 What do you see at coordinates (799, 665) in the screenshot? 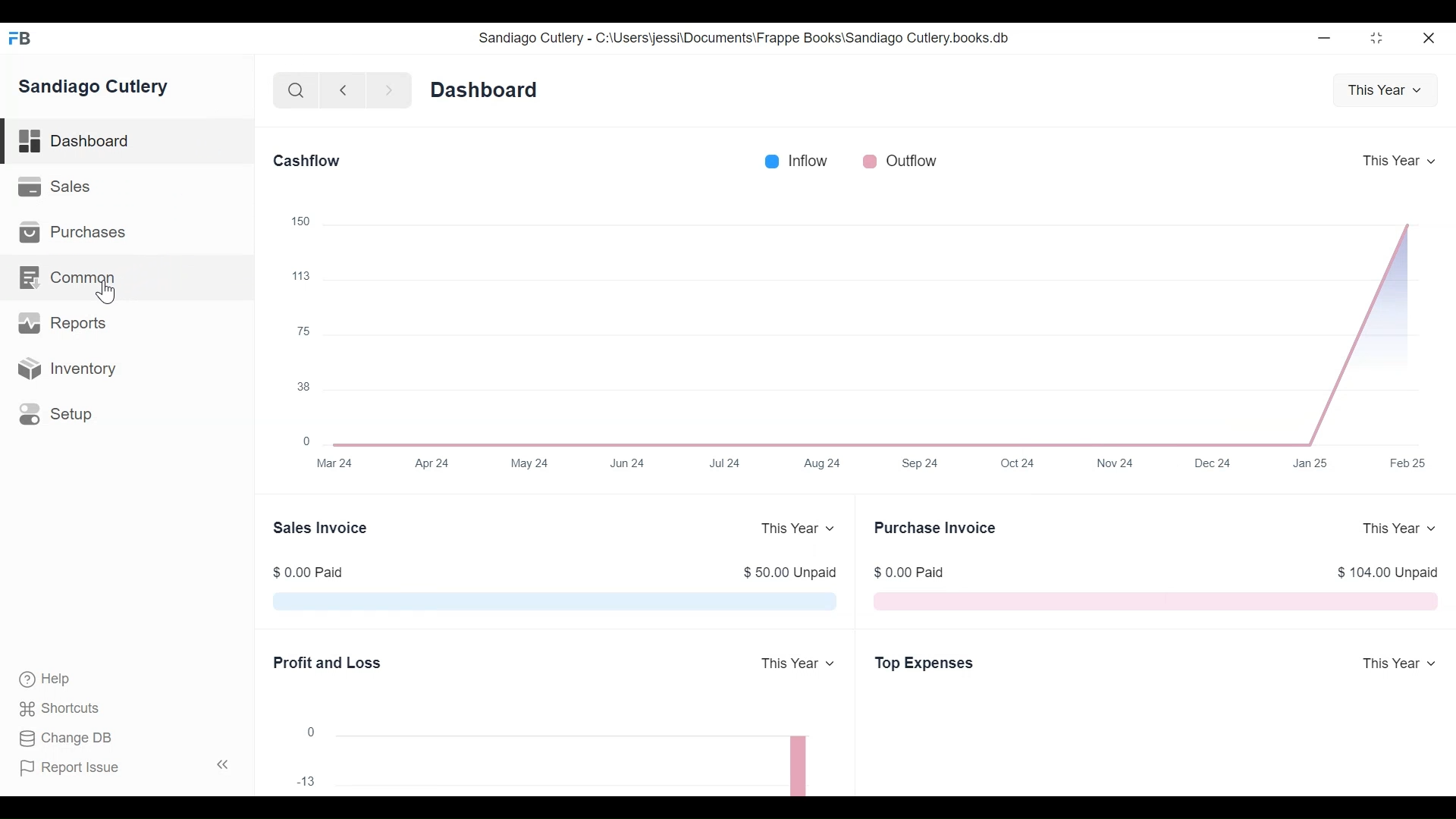
I see `This Year` at bounding box center [799, 665].